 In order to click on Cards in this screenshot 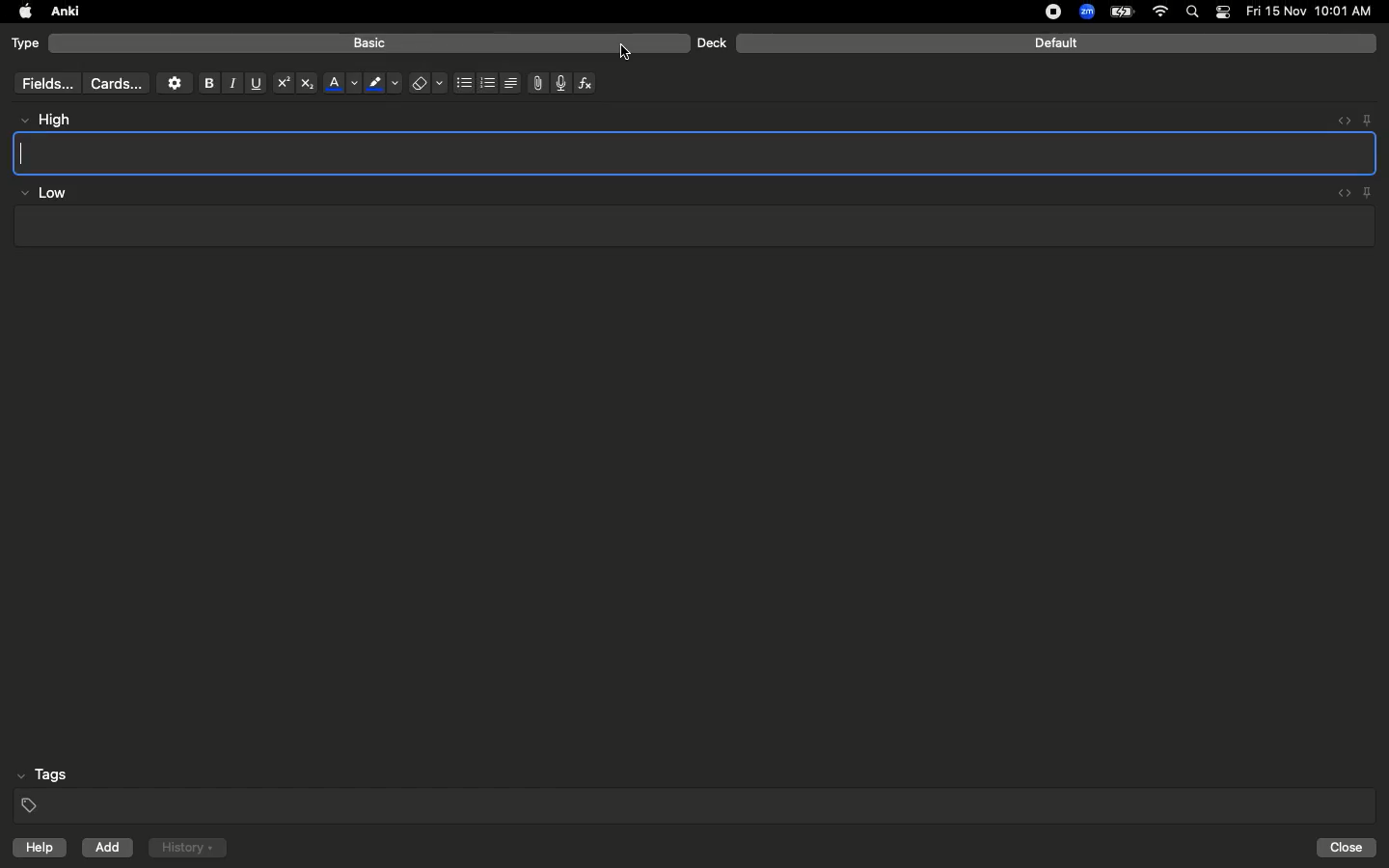, I will do `click(116, 84)`.